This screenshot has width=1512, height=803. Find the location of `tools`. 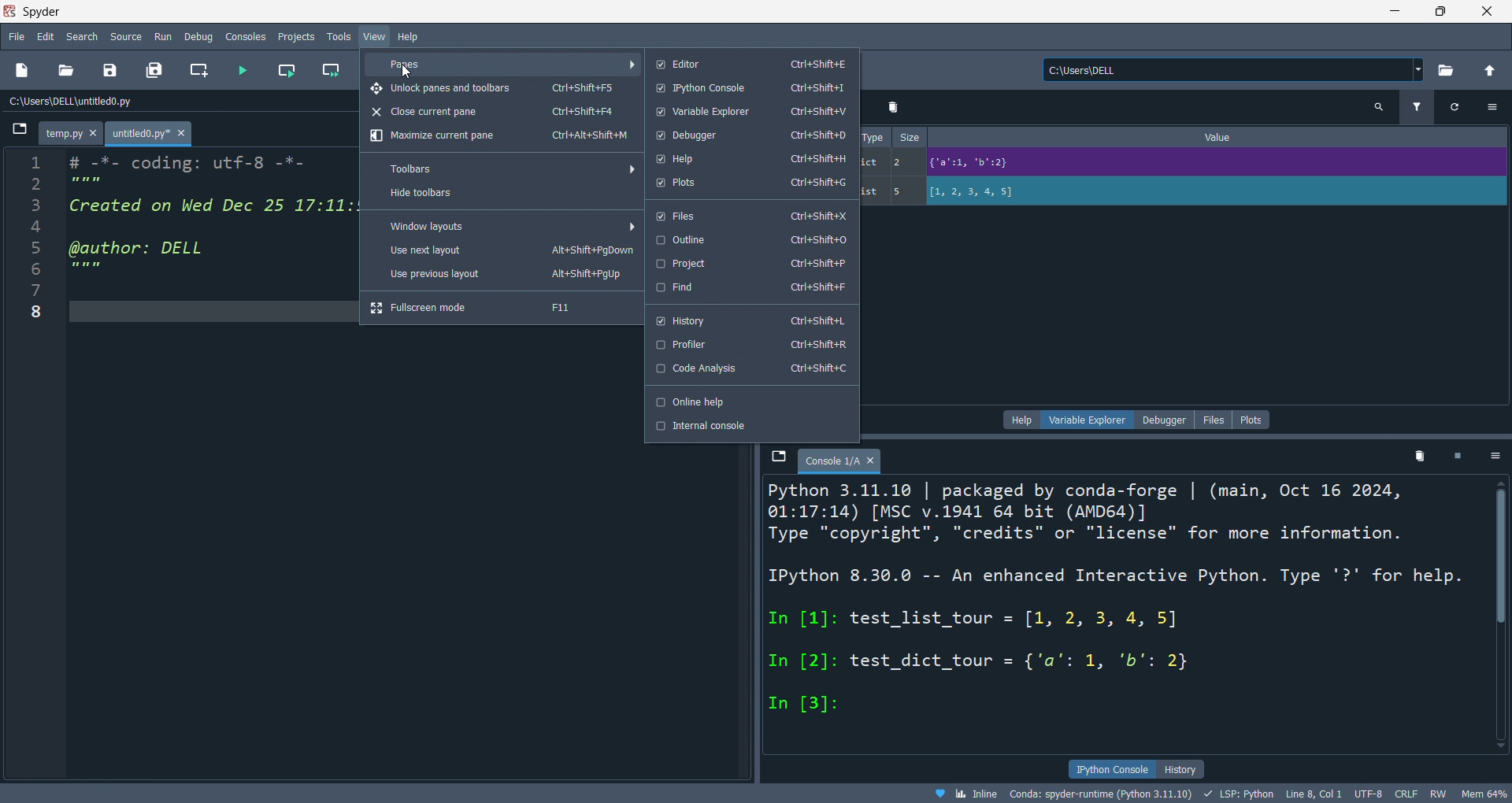

tools is located at coordinates (337, 37).